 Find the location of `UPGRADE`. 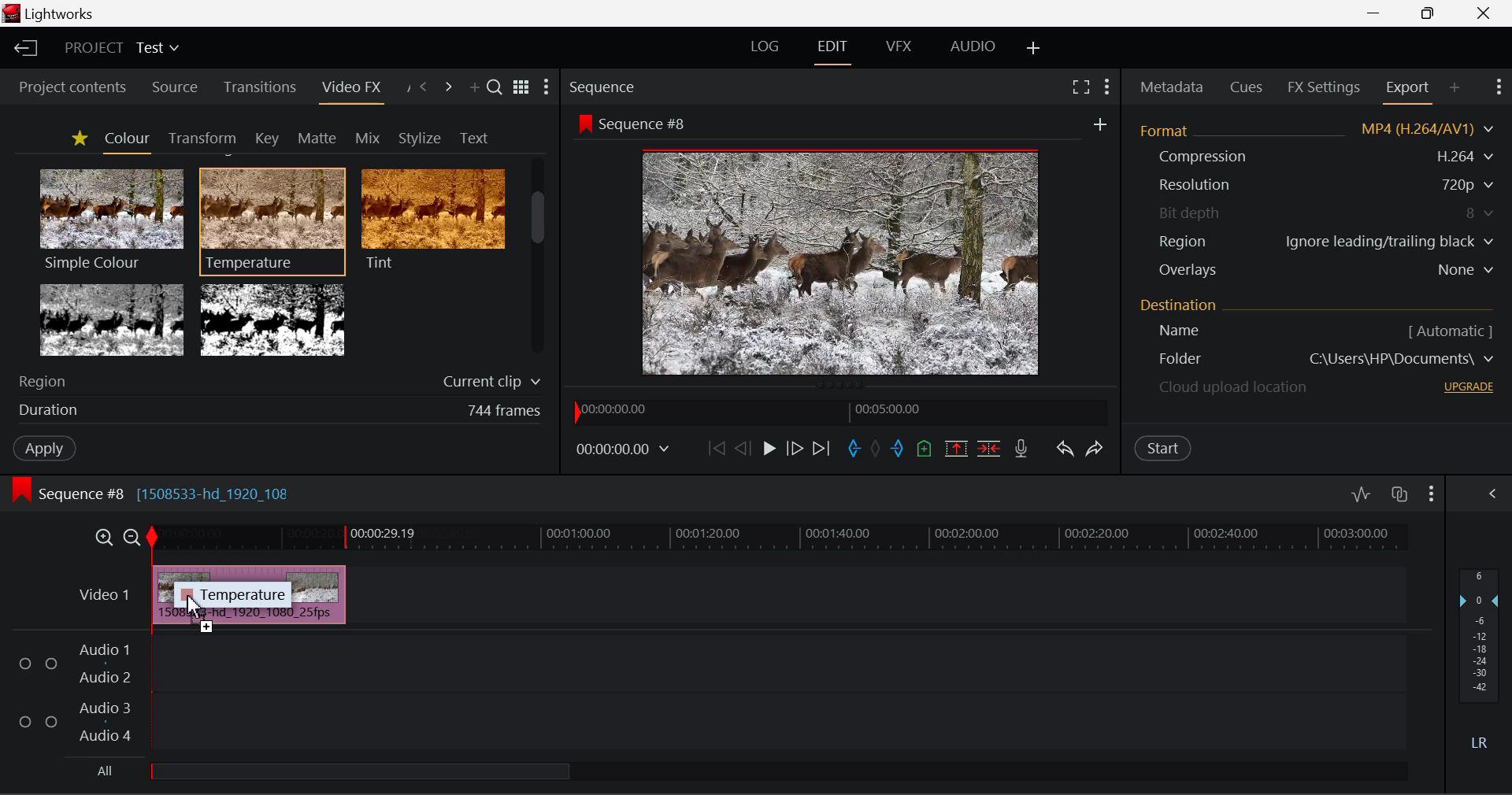

UPGRADE is located at coordinates (1469, 386).